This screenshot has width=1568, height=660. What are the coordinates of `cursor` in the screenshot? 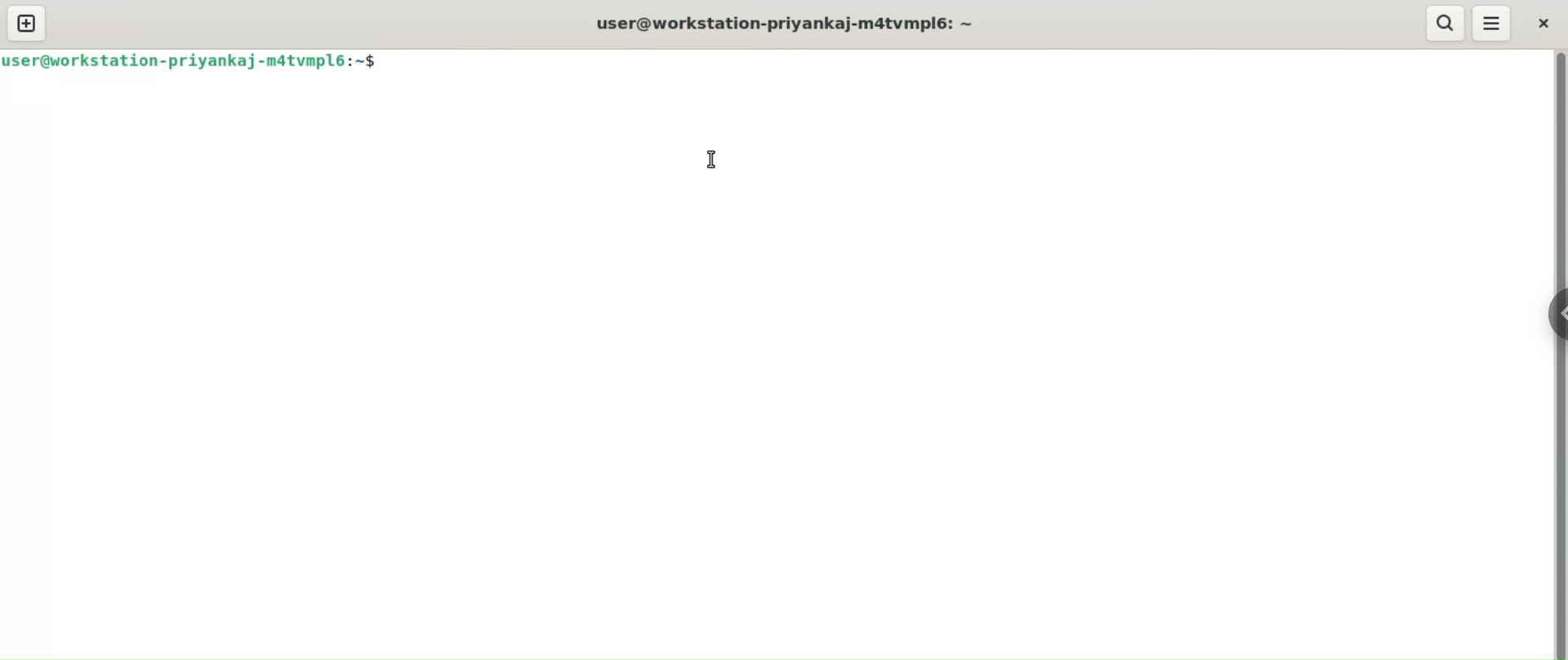 It's located at (711, 159).